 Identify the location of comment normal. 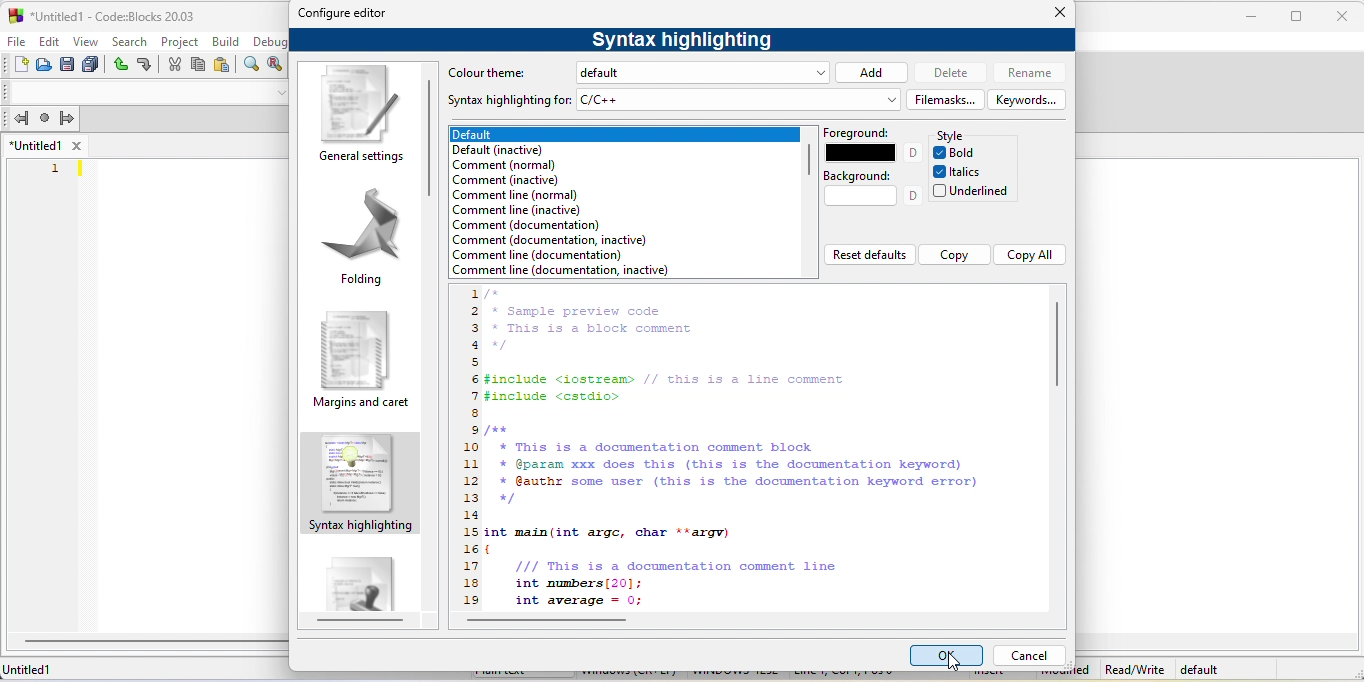
(512, 166).